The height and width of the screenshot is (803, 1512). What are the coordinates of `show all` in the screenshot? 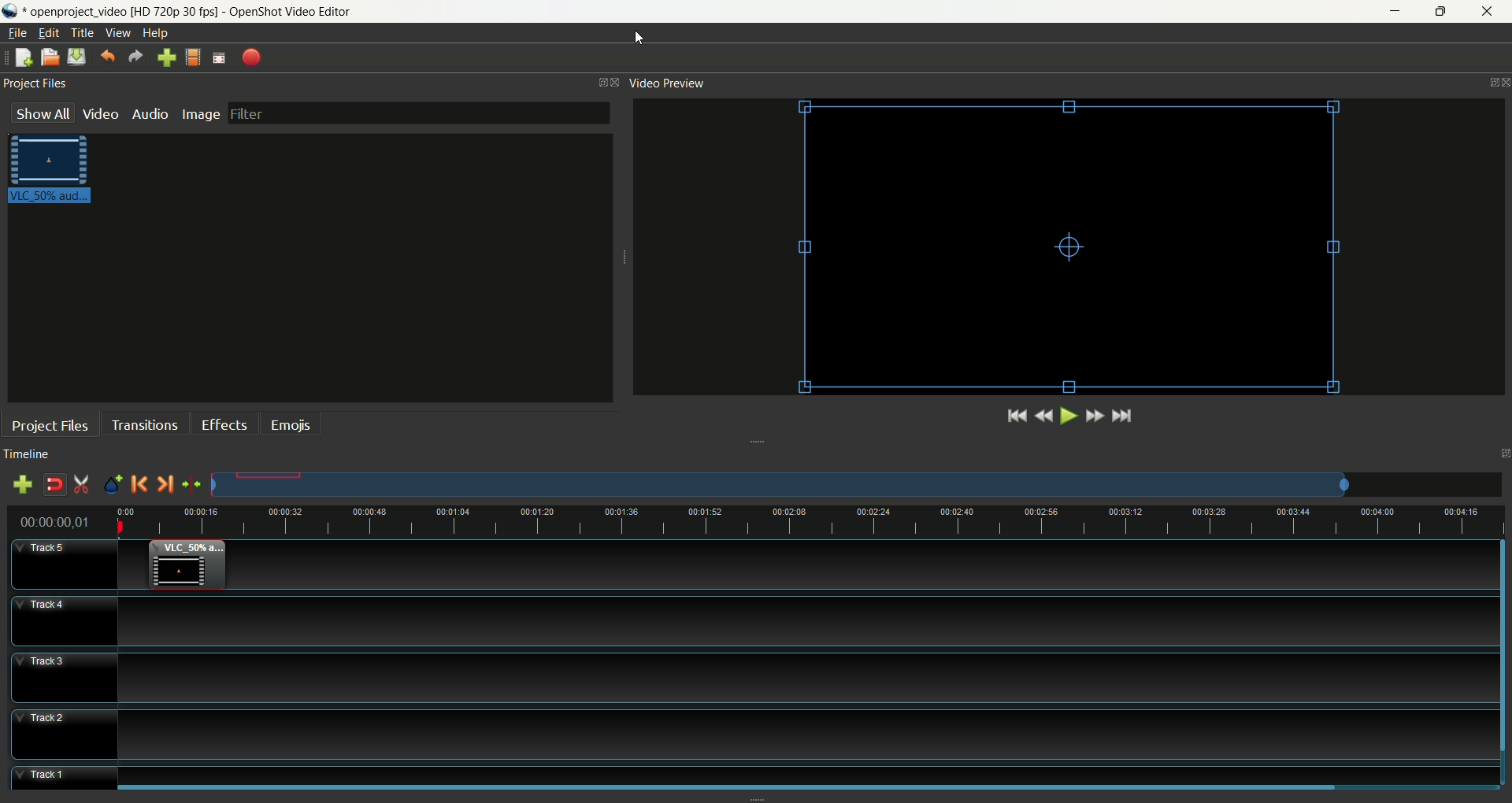 It's located at (40, 113).